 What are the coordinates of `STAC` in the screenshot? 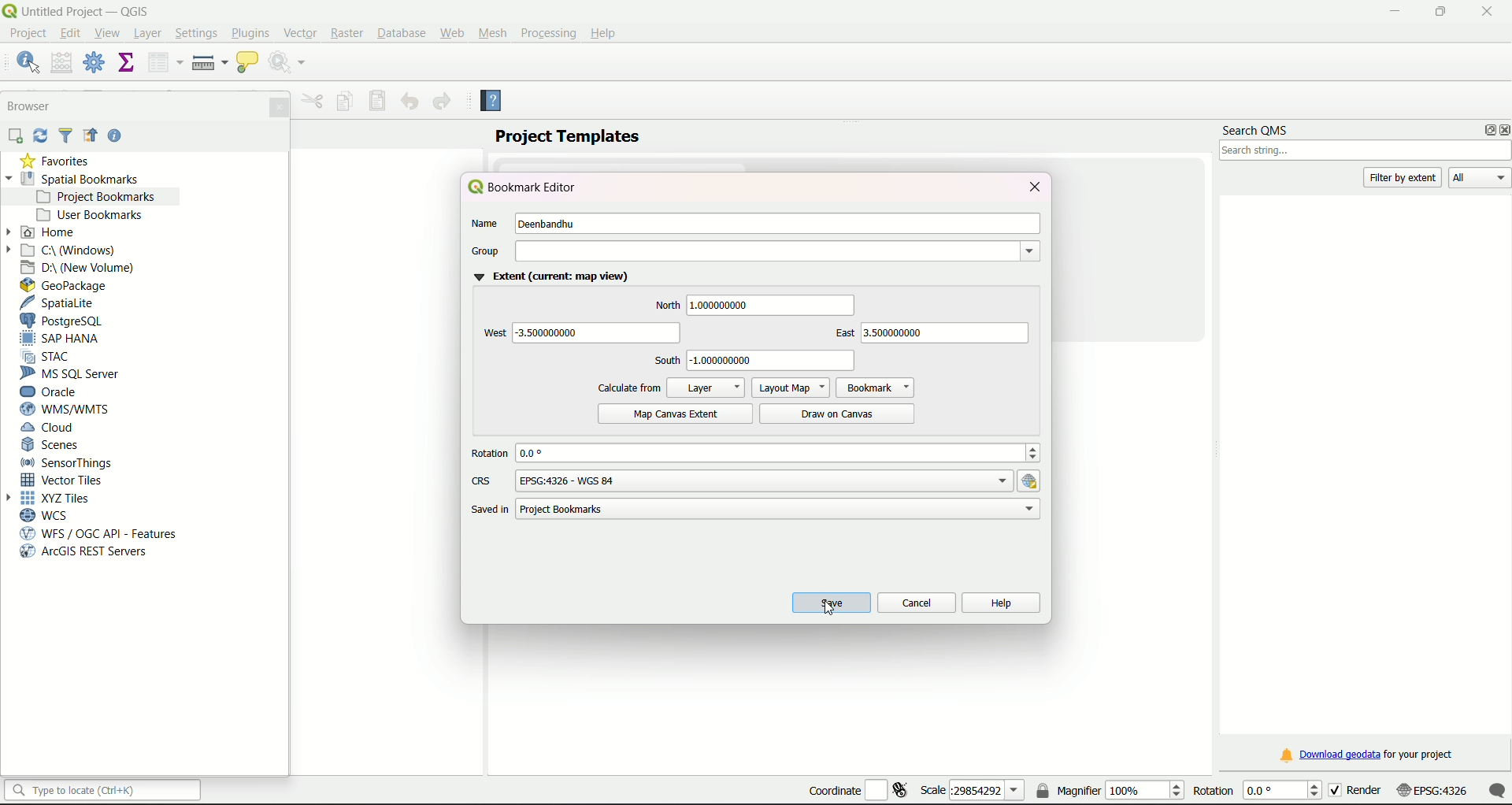 It's located at (50, 356).